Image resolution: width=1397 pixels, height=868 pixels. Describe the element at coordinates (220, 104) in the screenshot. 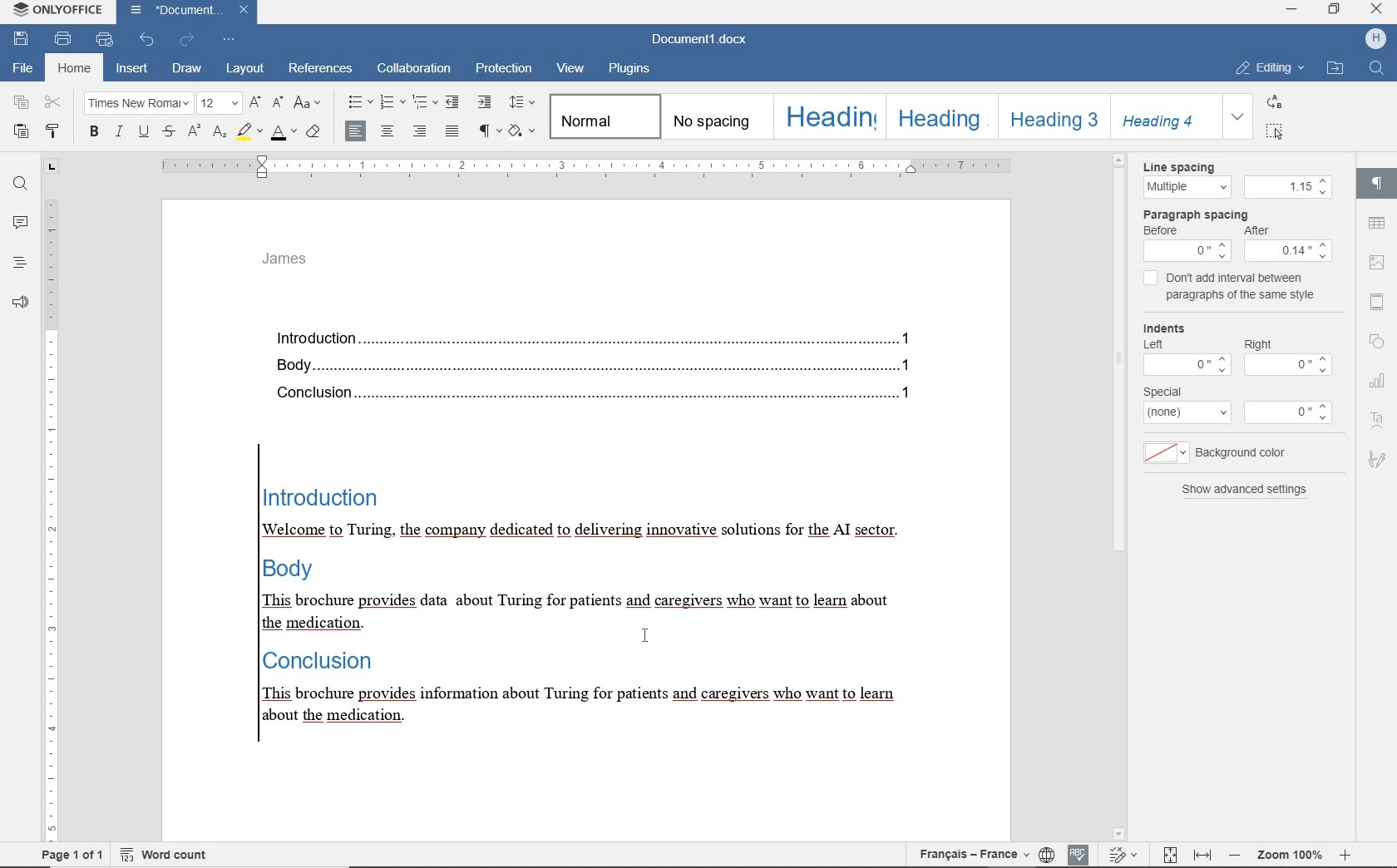

I see `font size` at that location.